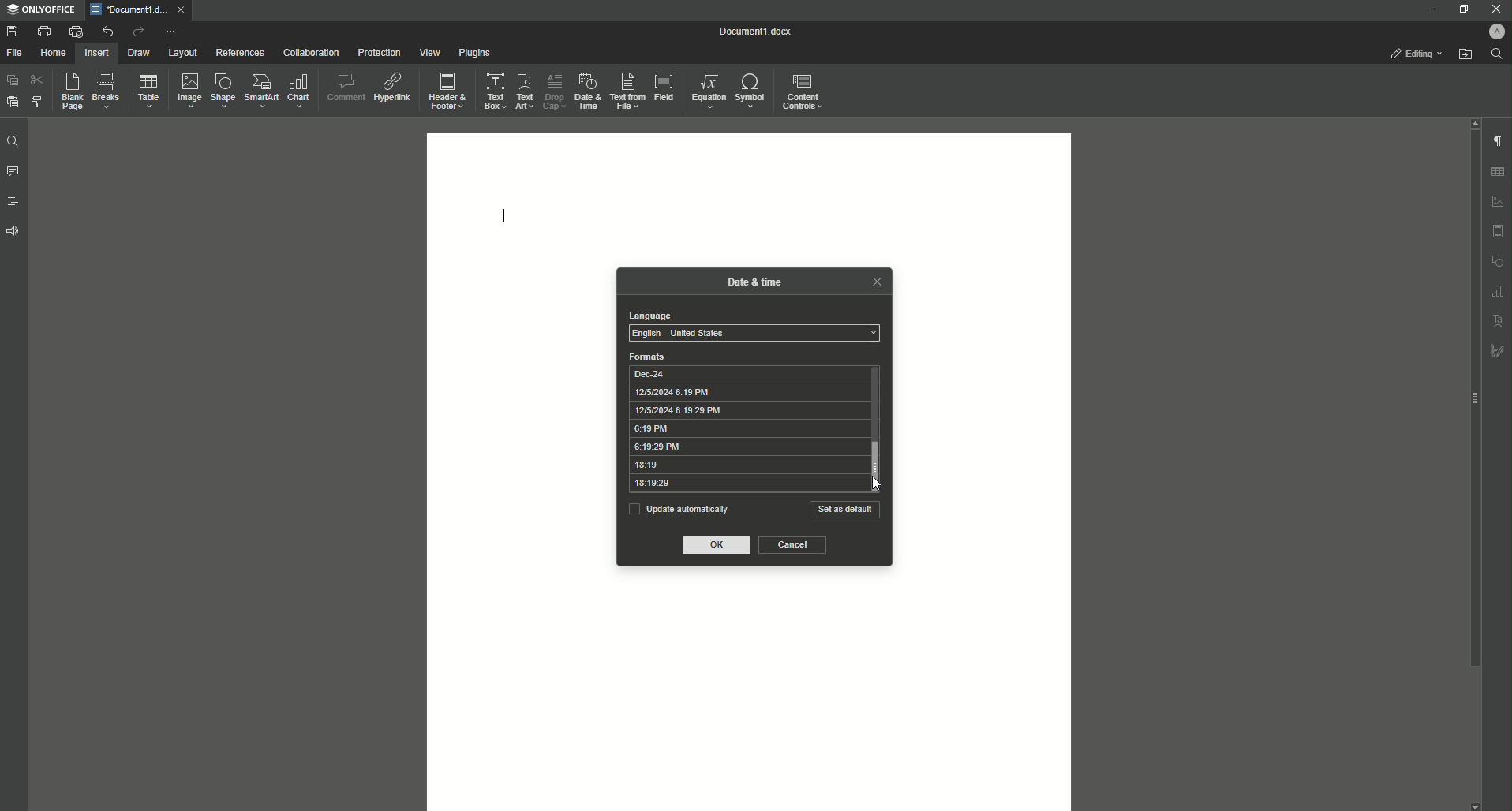 This screenshot has width=1512, height=811. What do you see at coordinates (1499, 201) in the screenshot?
I see `image settings` at bounding box center [1499, 201].